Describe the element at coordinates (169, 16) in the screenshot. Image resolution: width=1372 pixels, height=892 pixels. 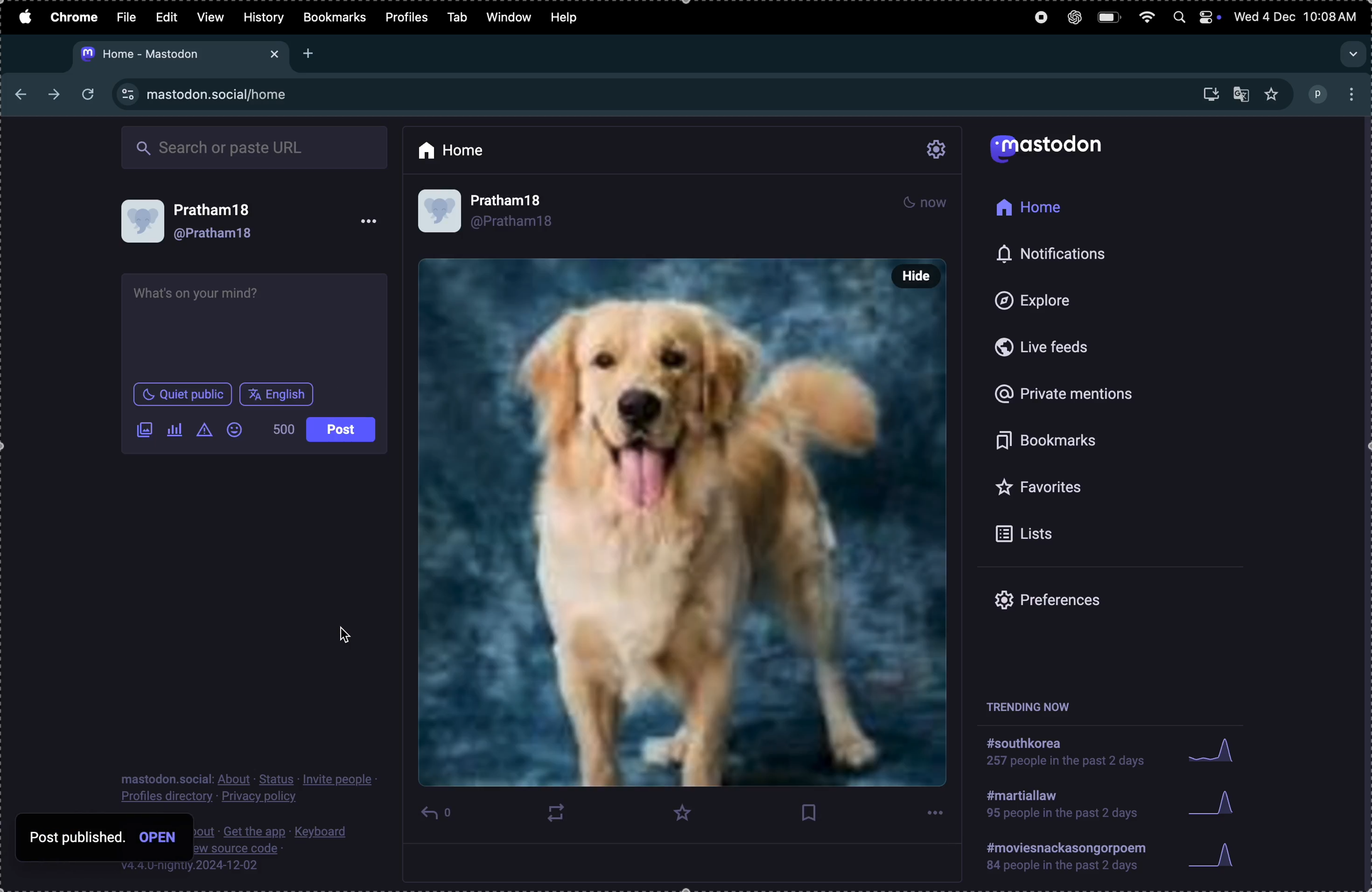
I see `Edit` at that location.